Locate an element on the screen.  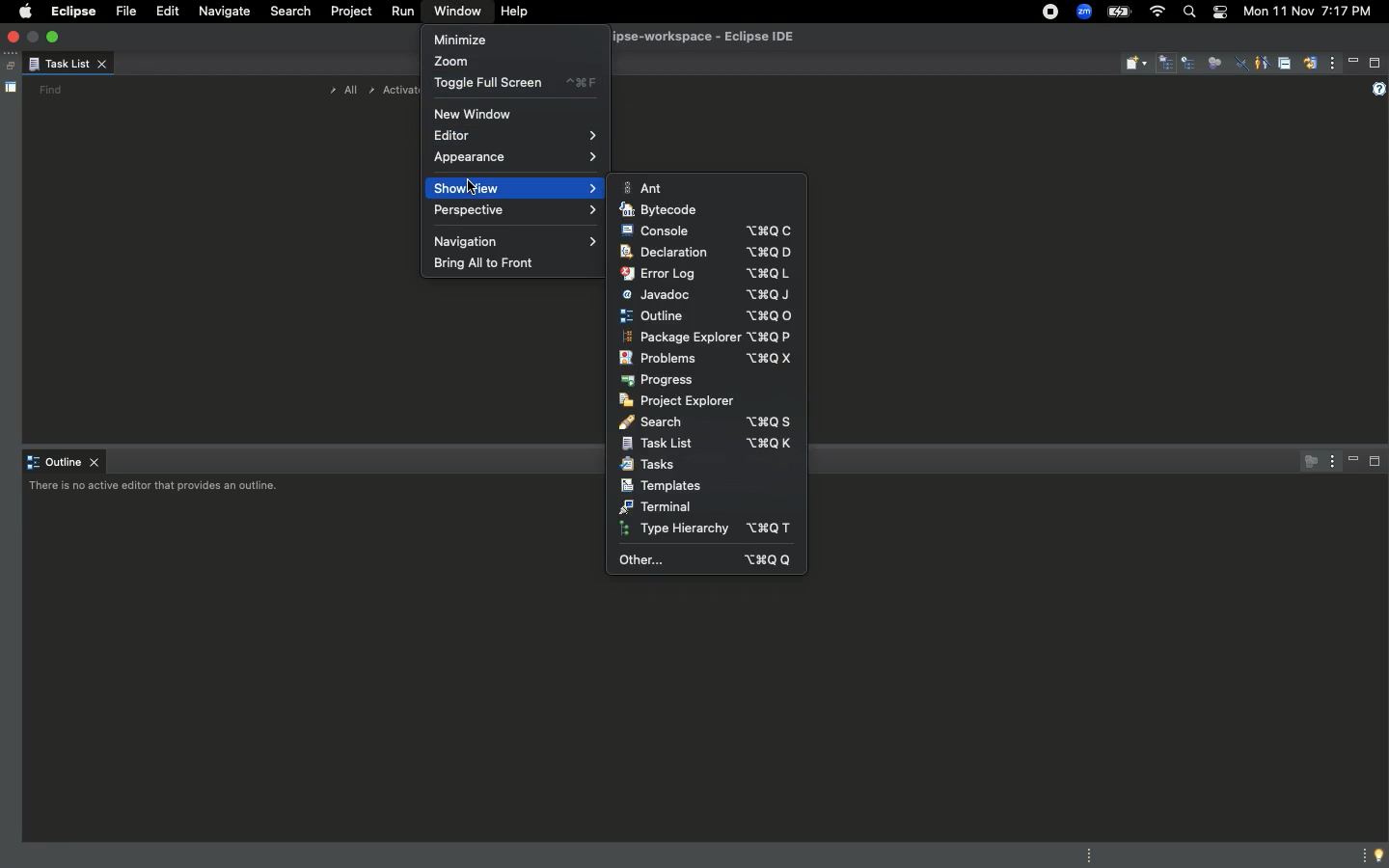
Recording is located at coordinates (1049, 14).